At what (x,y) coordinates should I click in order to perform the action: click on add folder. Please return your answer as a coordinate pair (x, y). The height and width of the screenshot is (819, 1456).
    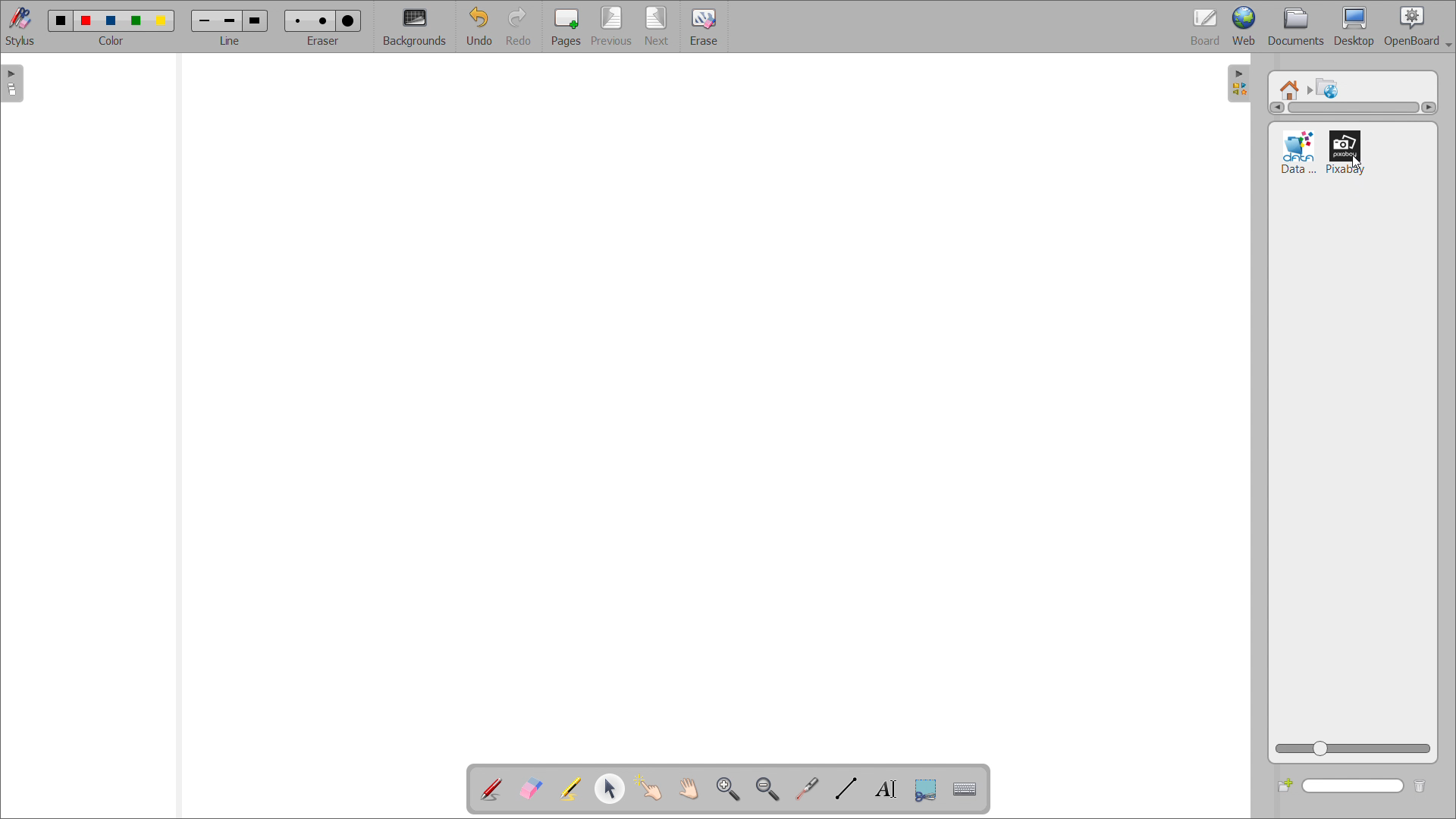
    Looking at the image, I should click on (1285, 785).